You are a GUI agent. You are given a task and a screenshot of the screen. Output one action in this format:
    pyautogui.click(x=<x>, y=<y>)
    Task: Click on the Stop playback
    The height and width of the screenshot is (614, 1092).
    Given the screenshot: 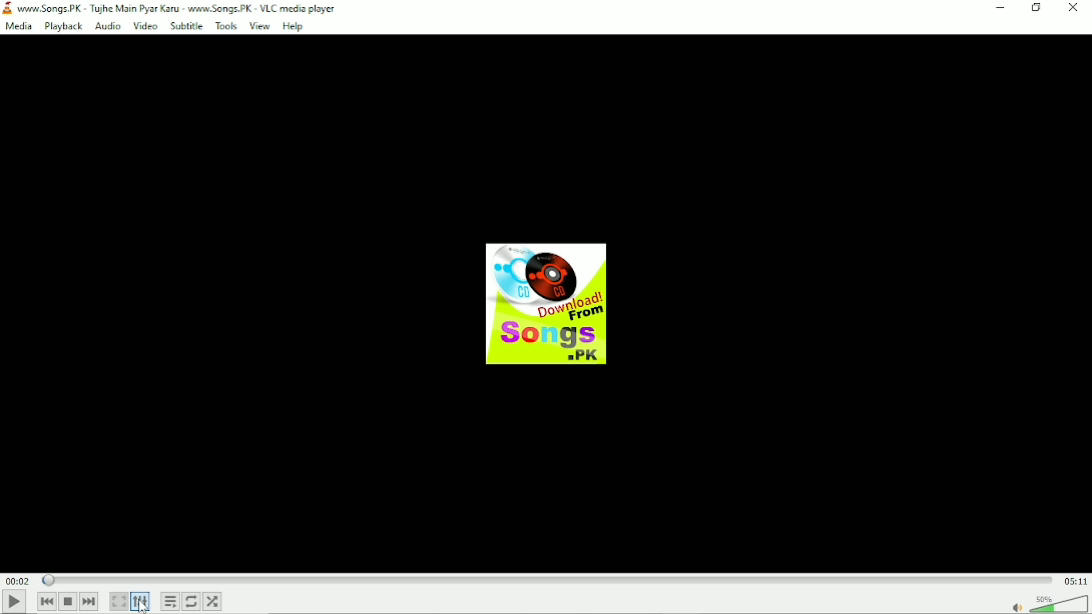 What is the action you would take?
    pyautogui.click(x=69, y=601)
    